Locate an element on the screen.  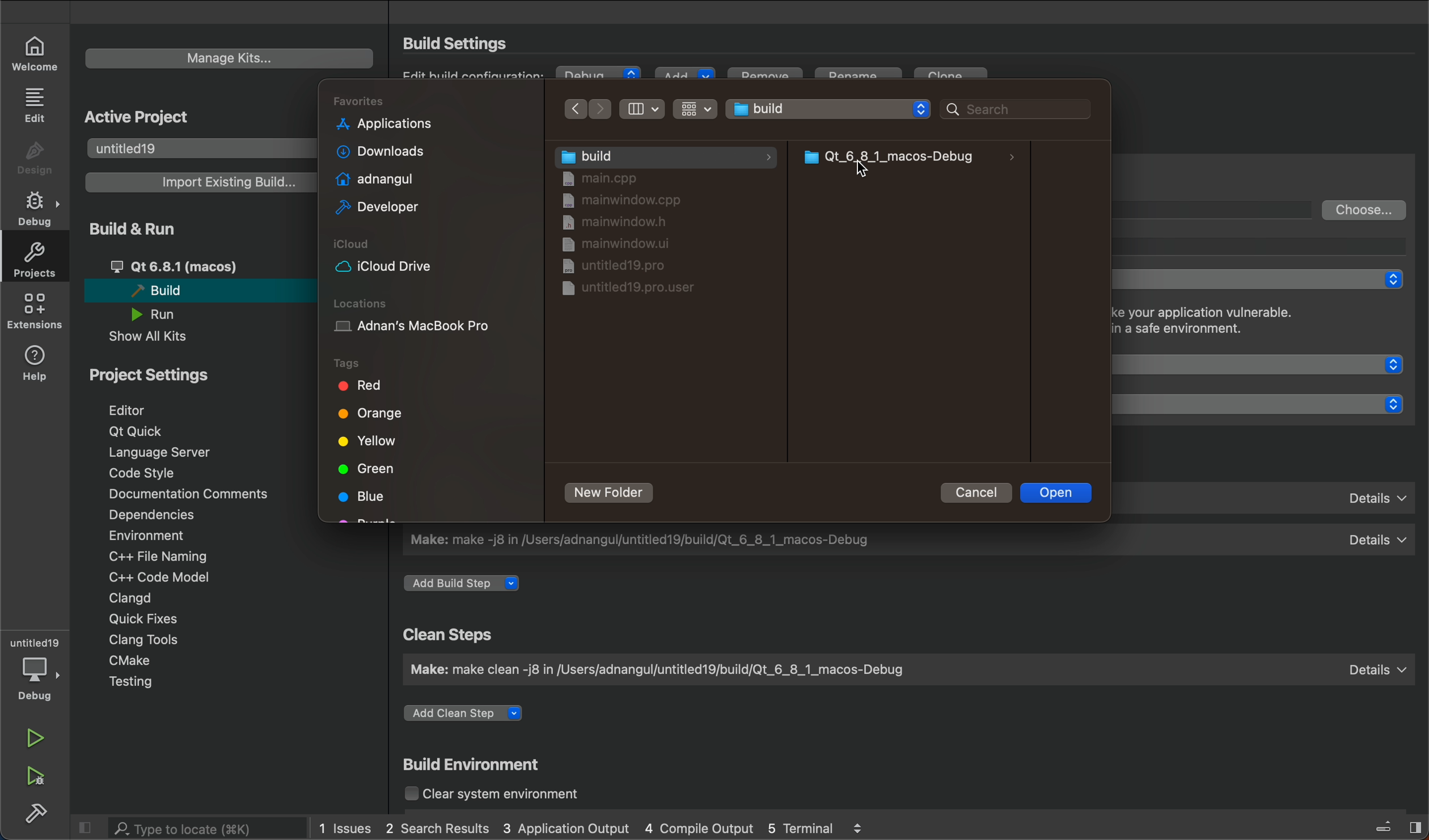
projects is located at coordinates (32, 260).